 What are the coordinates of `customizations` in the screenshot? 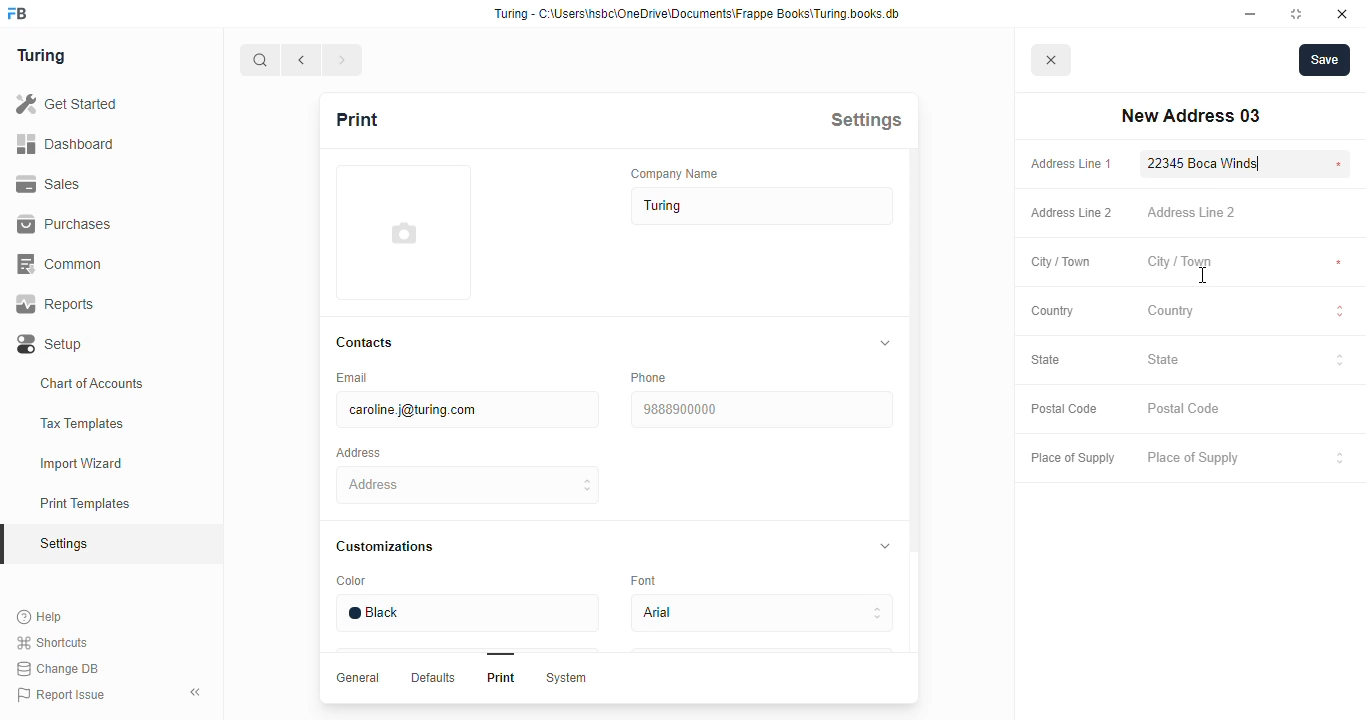 It's located at (384, 546).